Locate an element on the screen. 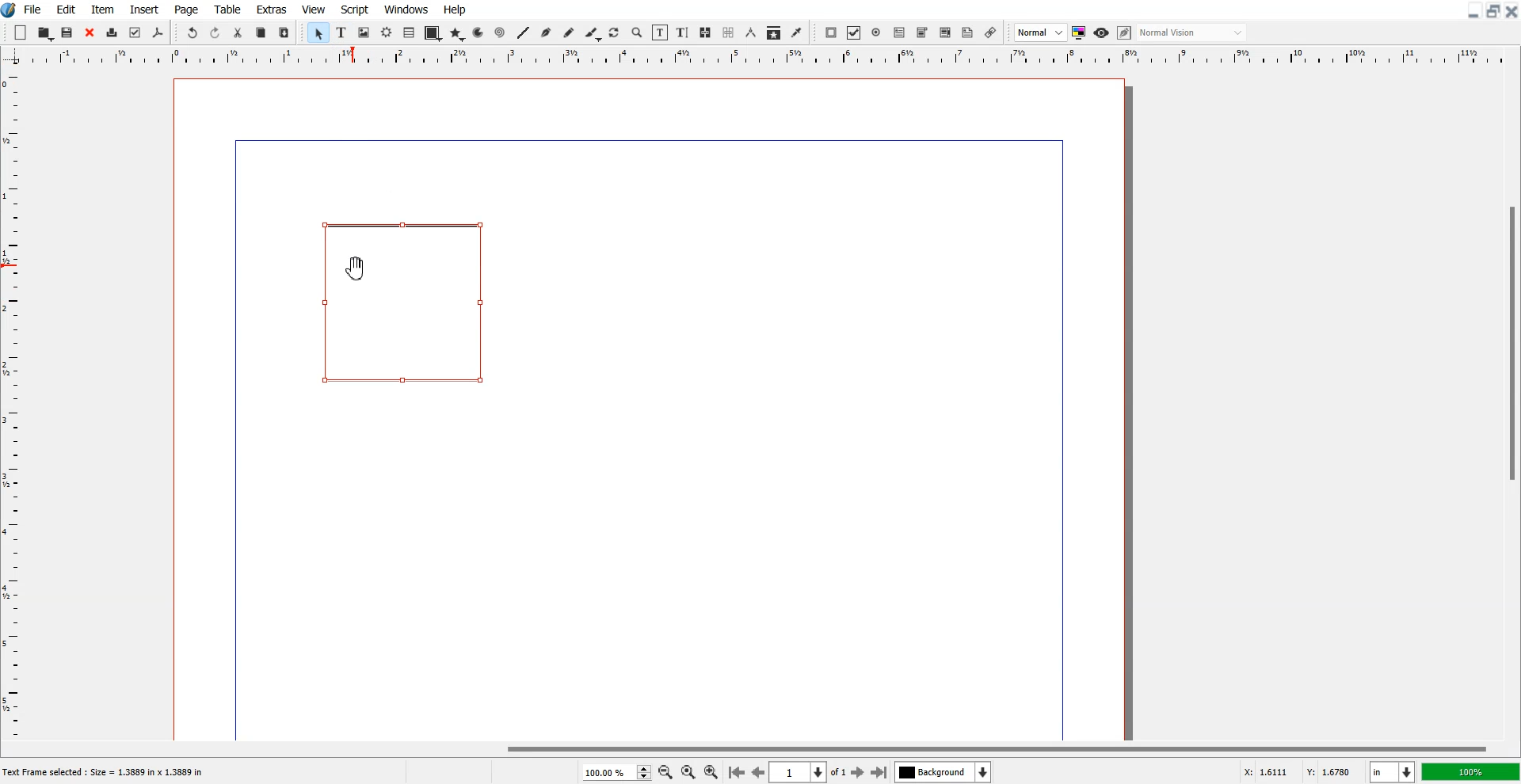  Maximize is located at coordinates (1494, 10).